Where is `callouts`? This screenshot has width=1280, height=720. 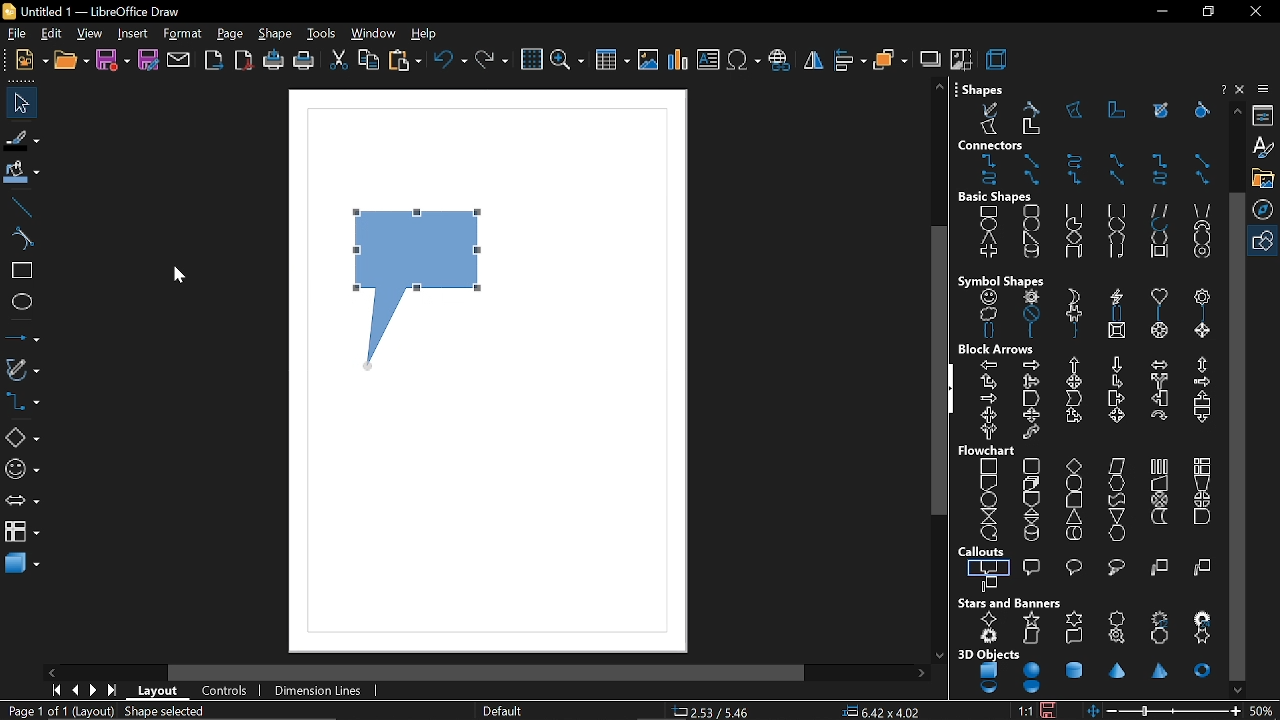 callouts is located at coordinates (984, 552).